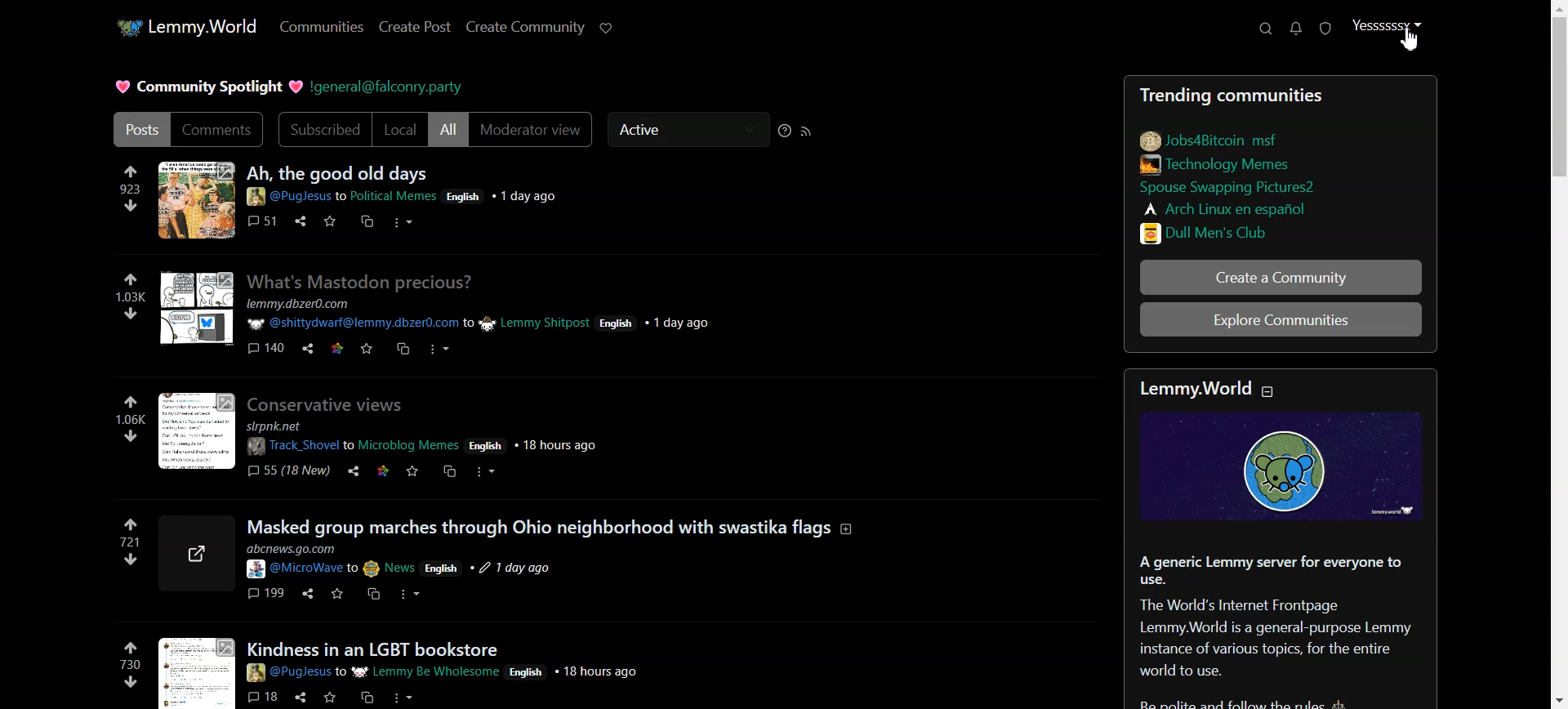 The width and height of the screenshot is (1568, 709). What do you see at coordinates (367, 221) in the screenshot?
I see `cross share` at bounding box center [367, 221].